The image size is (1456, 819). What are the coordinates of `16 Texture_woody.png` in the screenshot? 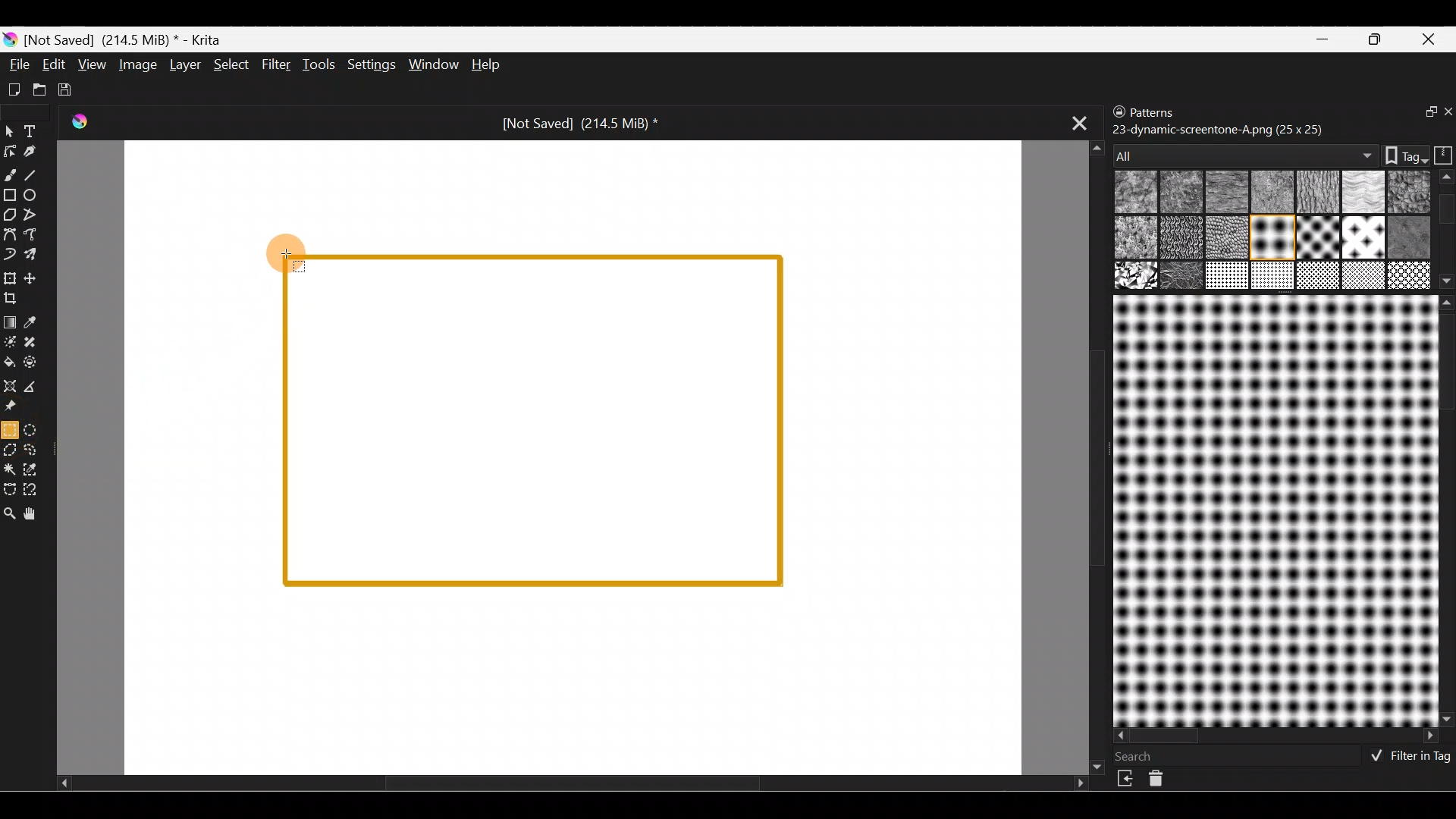 It's located at (1228, 277).